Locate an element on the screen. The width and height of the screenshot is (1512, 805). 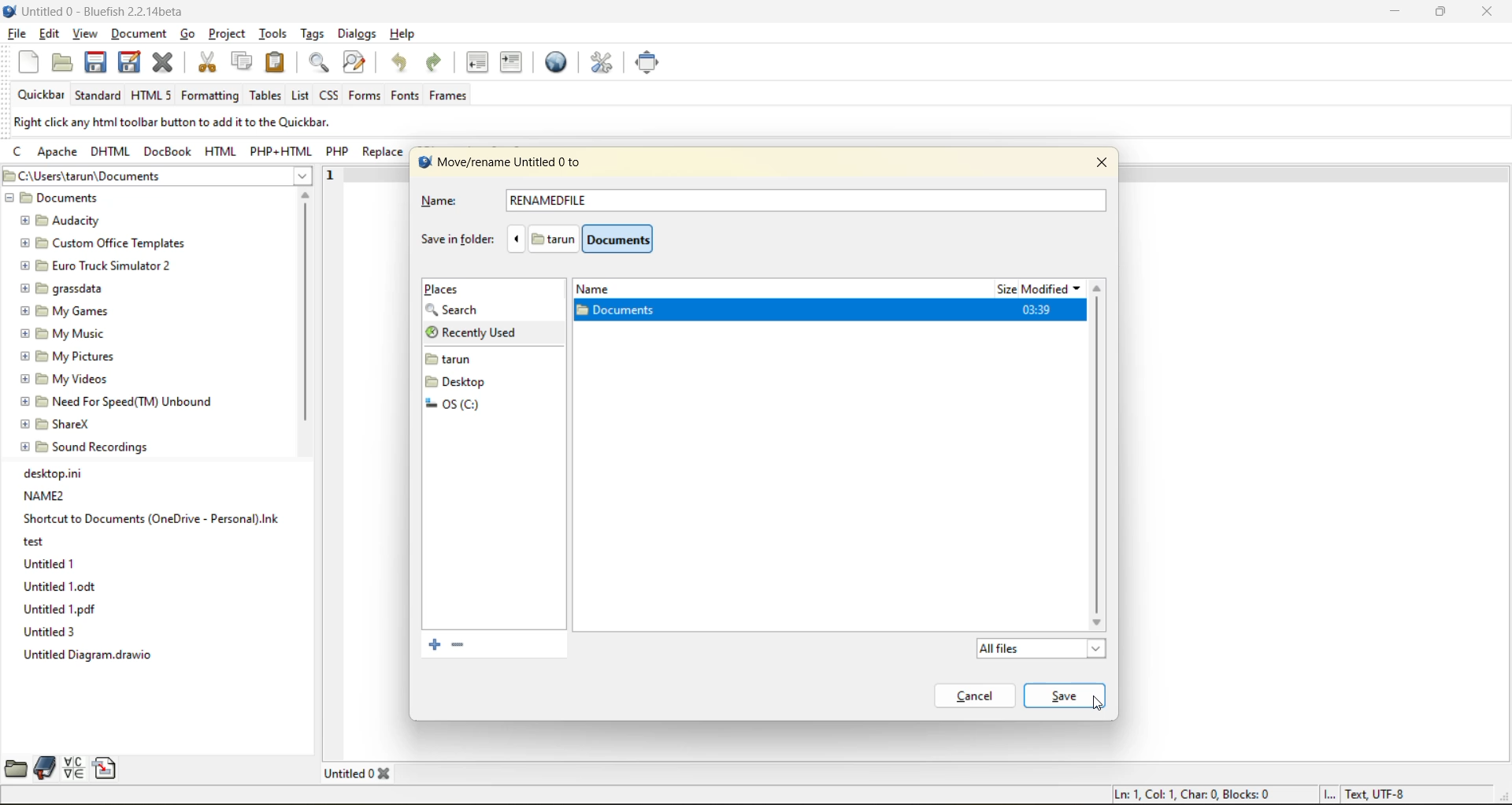
move/rename filename is located at coordinates (513, 164).